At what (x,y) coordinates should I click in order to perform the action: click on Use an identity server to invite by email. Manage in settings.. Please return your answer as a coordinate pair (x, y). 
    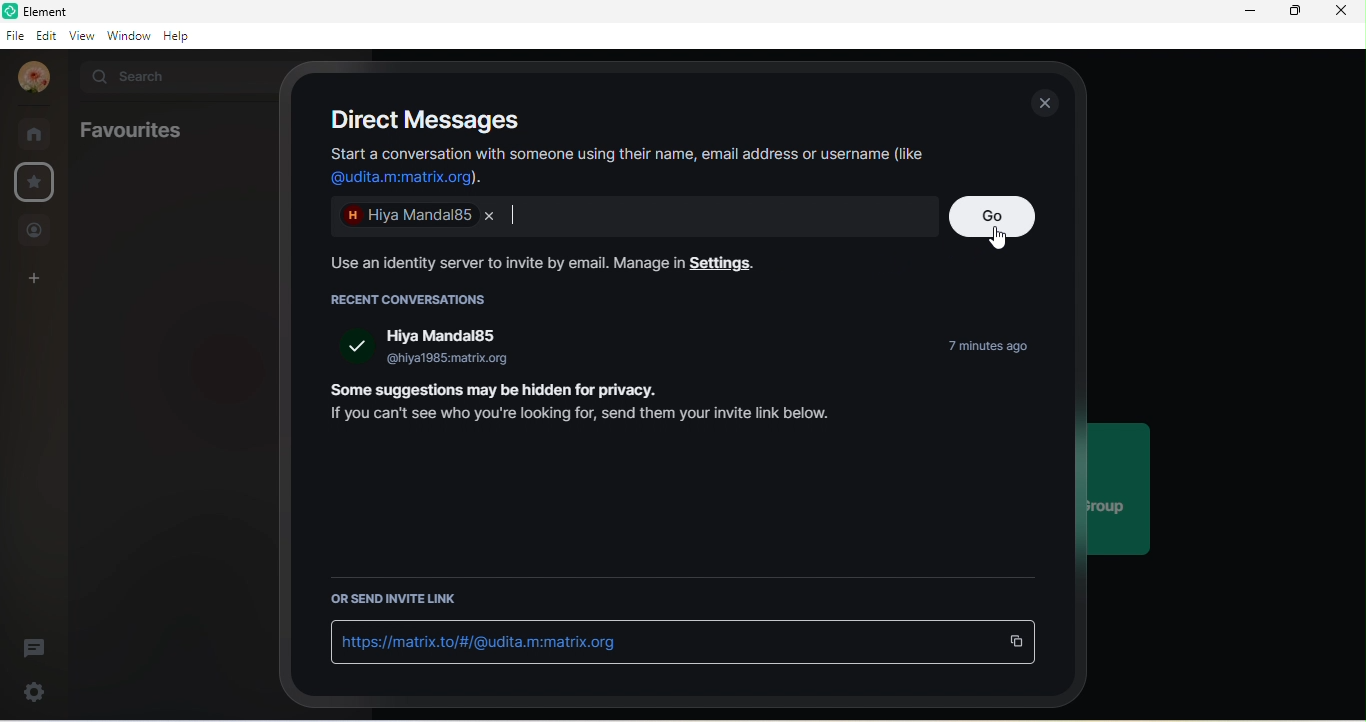
    Looking at the image, I should click on (536, 263).